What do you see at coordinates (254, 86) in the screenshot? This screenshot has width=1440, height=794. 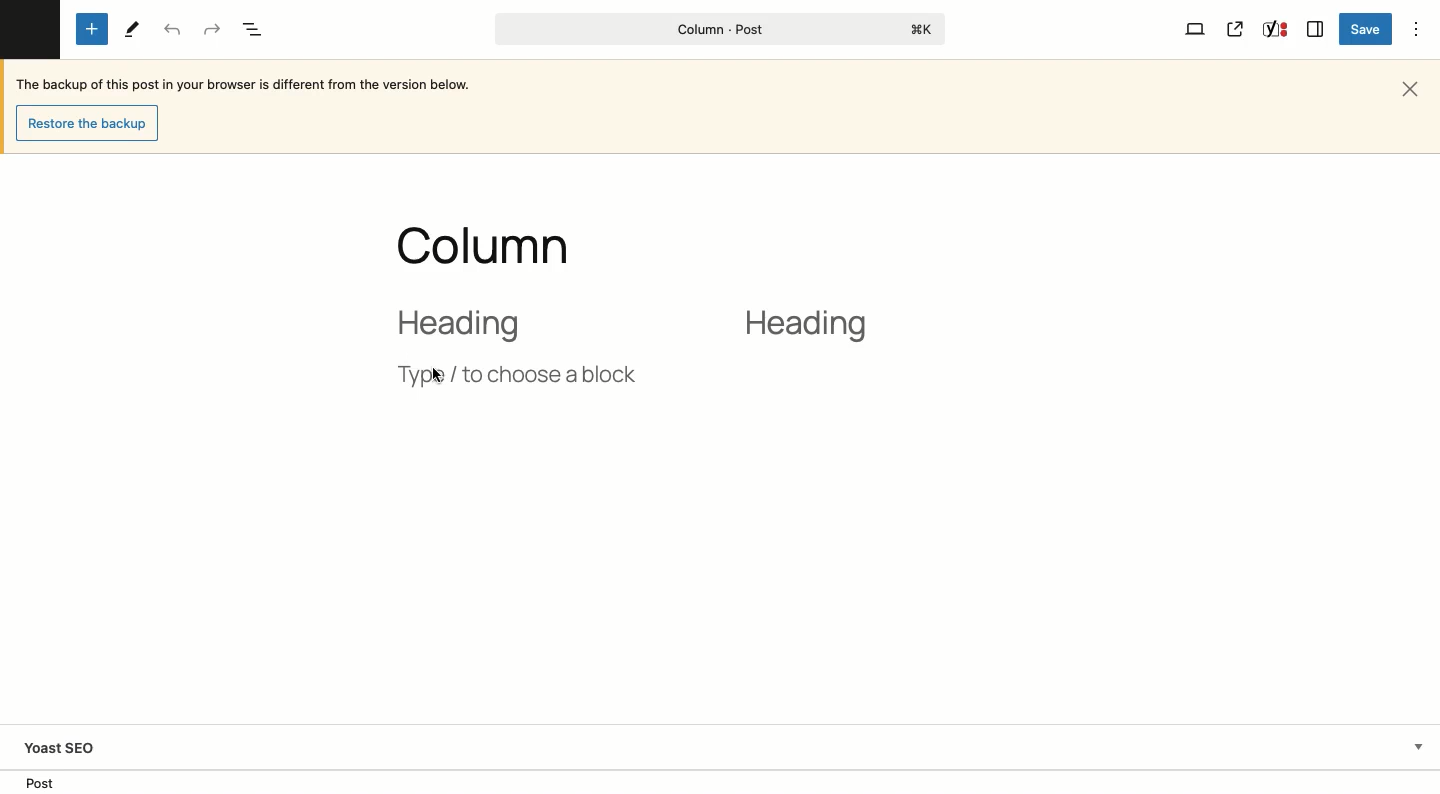 I see `The backup of this post in your browser is different from the version below.` at bounding box center [254, 86].